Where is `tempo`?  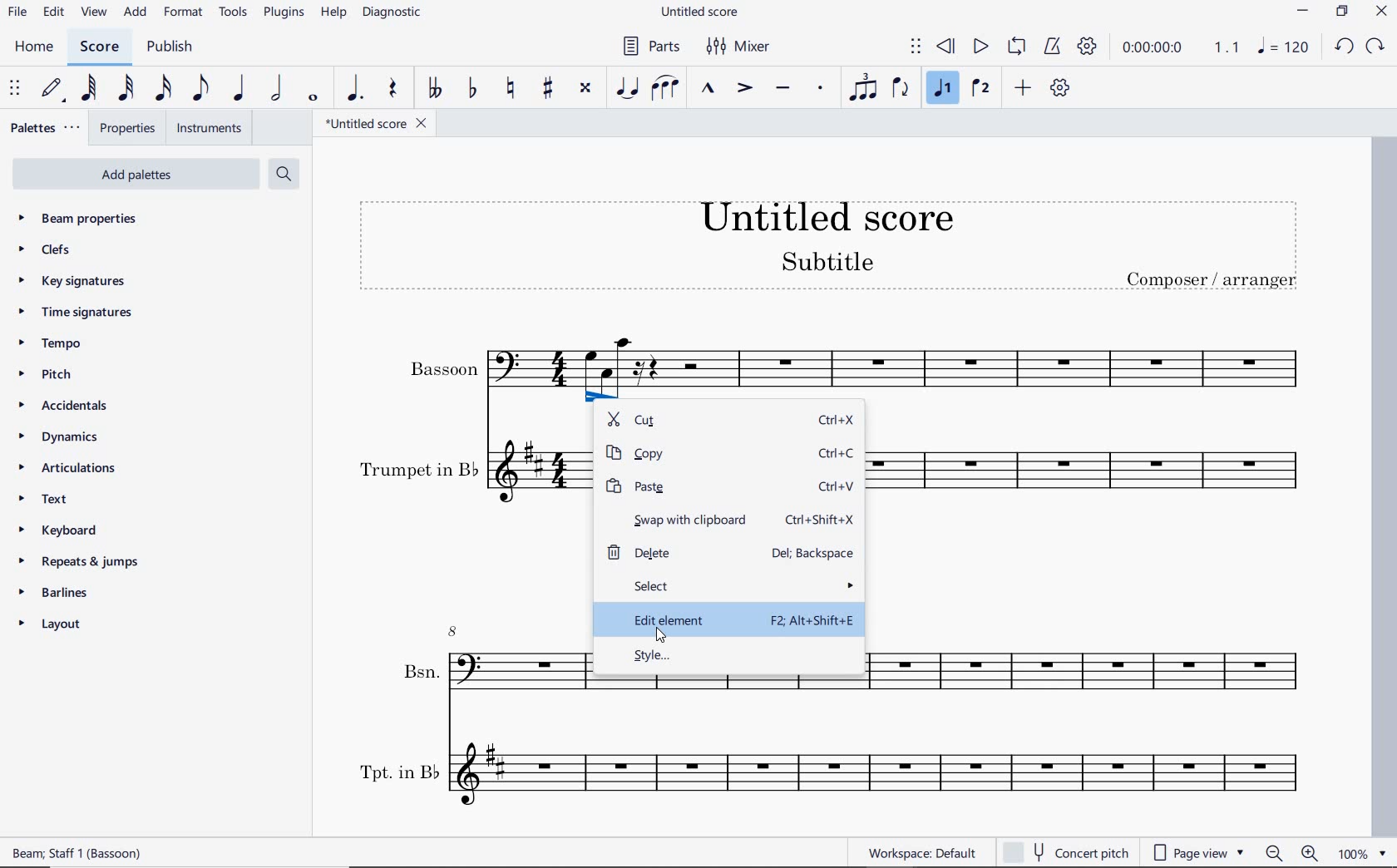 tempo is located at coordinates (54, 343).